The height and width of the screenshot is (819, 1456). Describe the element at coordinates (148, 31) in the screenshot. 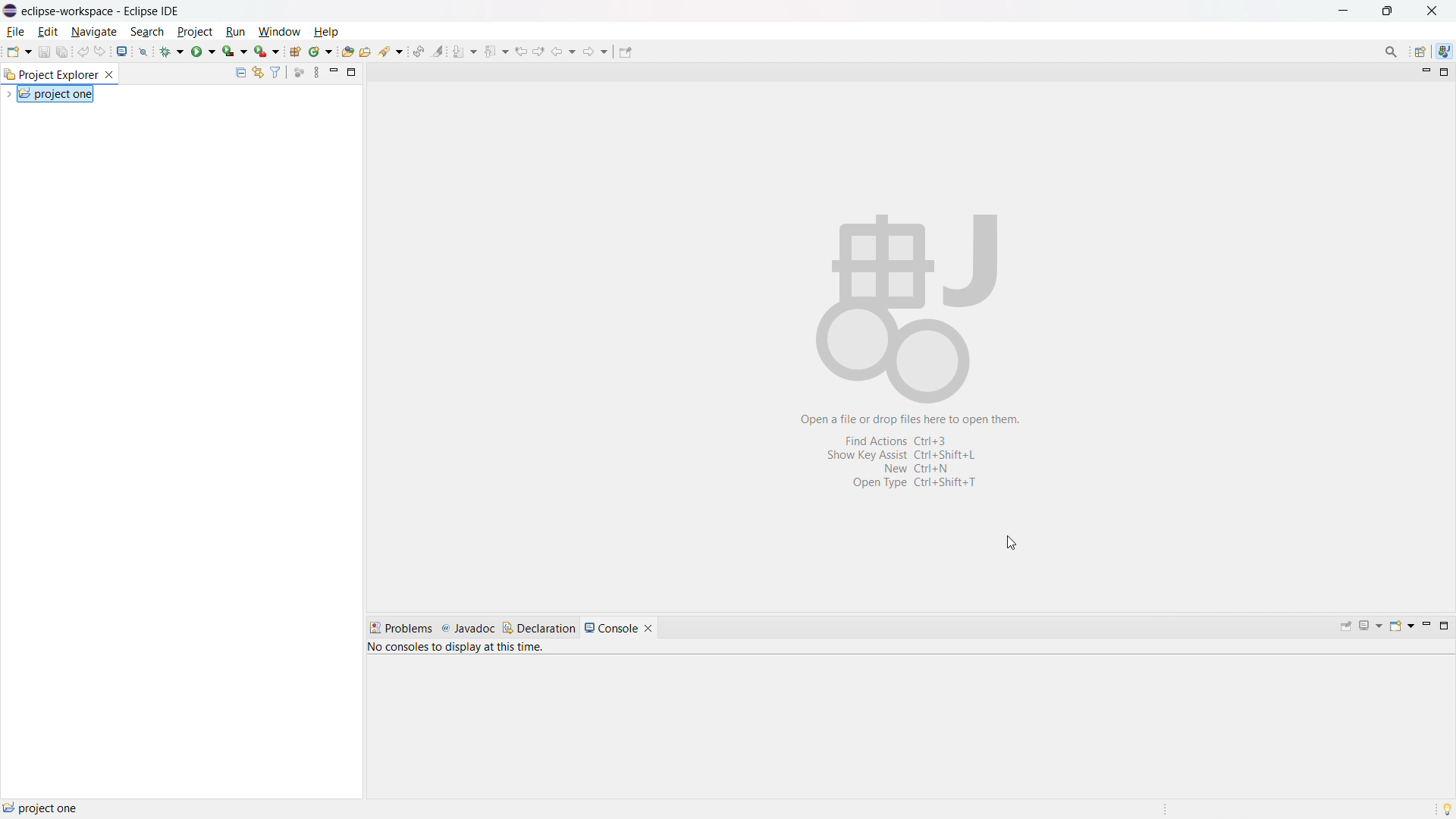

I see `search` at that location.